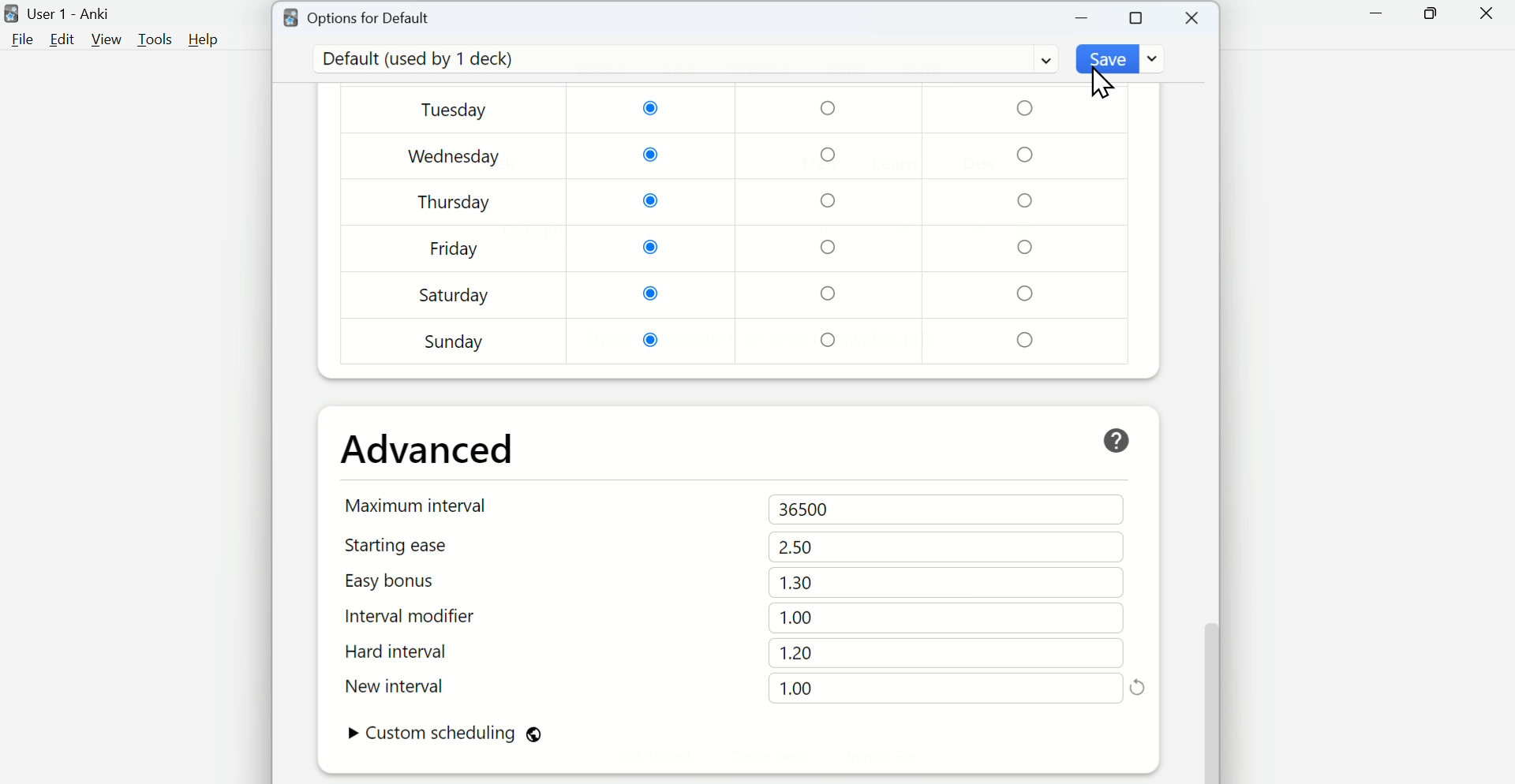  I want to click on New interval, so click(417, 686).